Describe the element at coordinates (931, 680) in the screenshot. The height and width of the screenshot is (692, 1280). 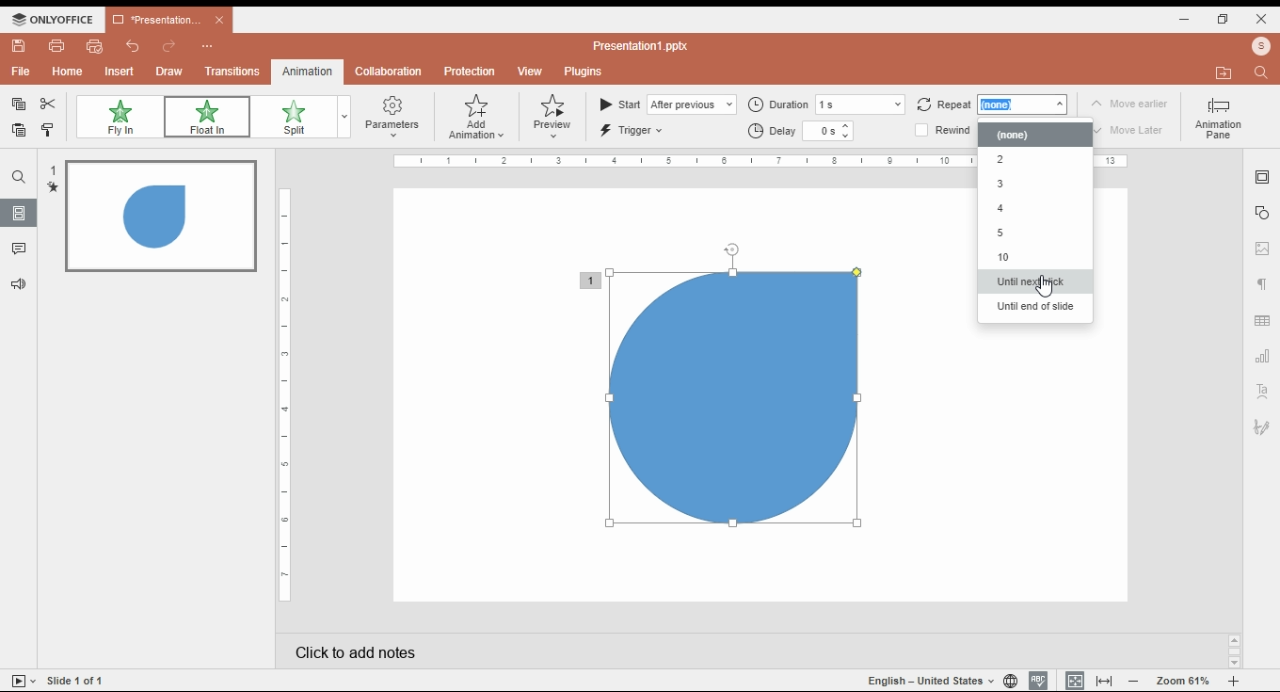
I see `languages` at that location.